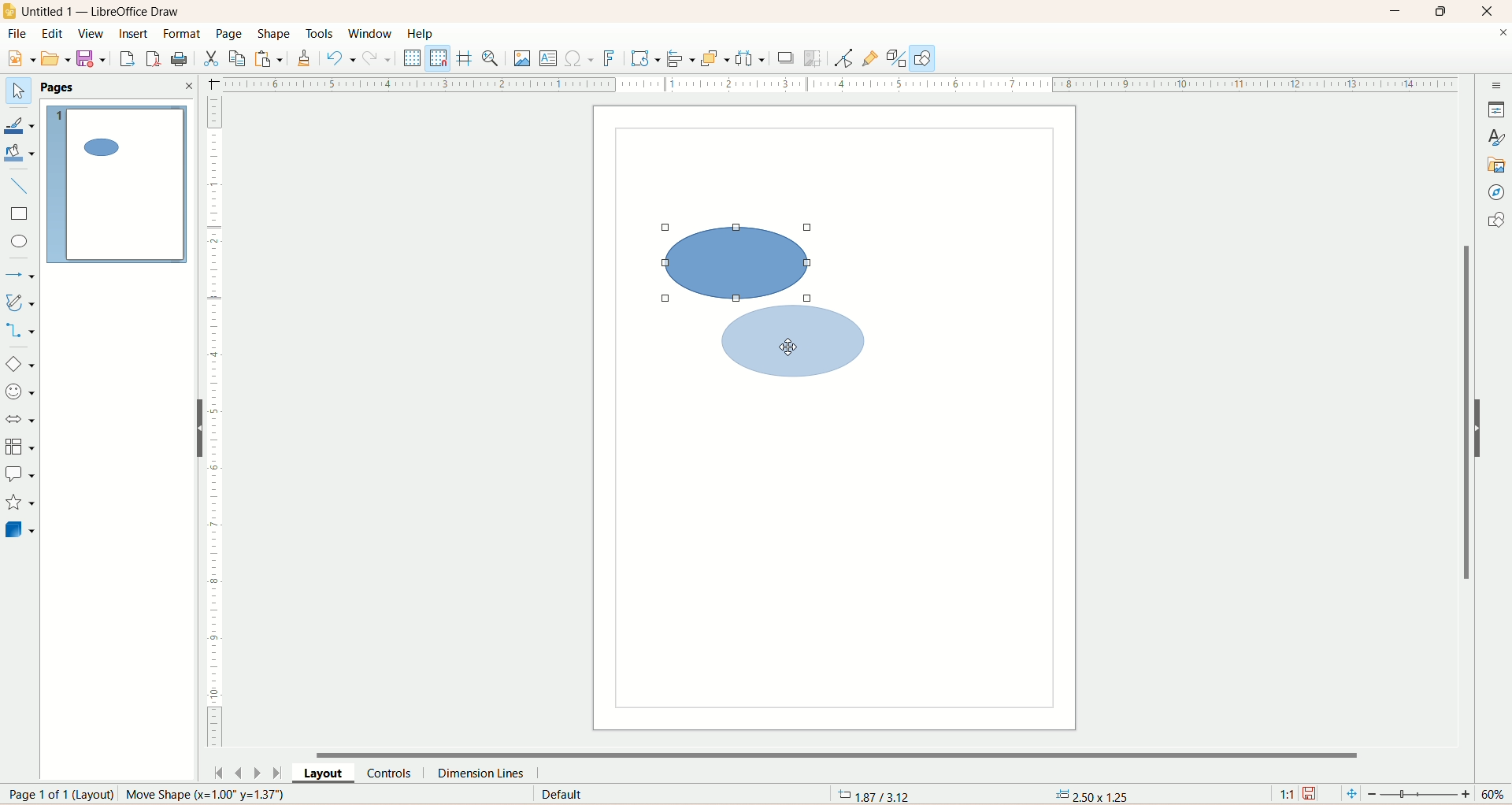 Image resolution: width=1512 pixels, height=805 pixels. I want to click on toggle extrusion, so click(899, 59).